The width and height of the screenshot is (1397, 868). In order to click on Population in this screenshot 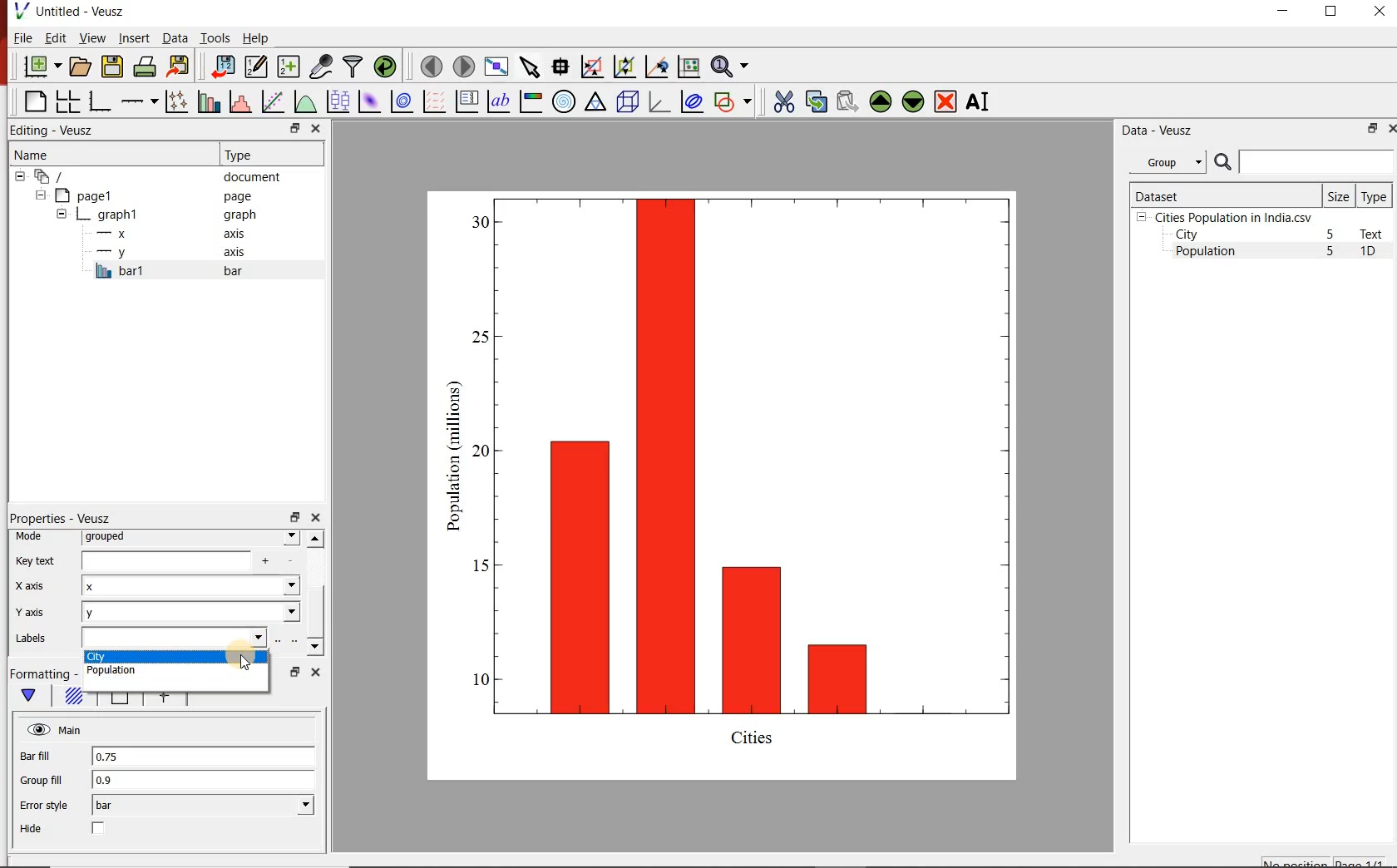, I will do `click(1206, 253)`.